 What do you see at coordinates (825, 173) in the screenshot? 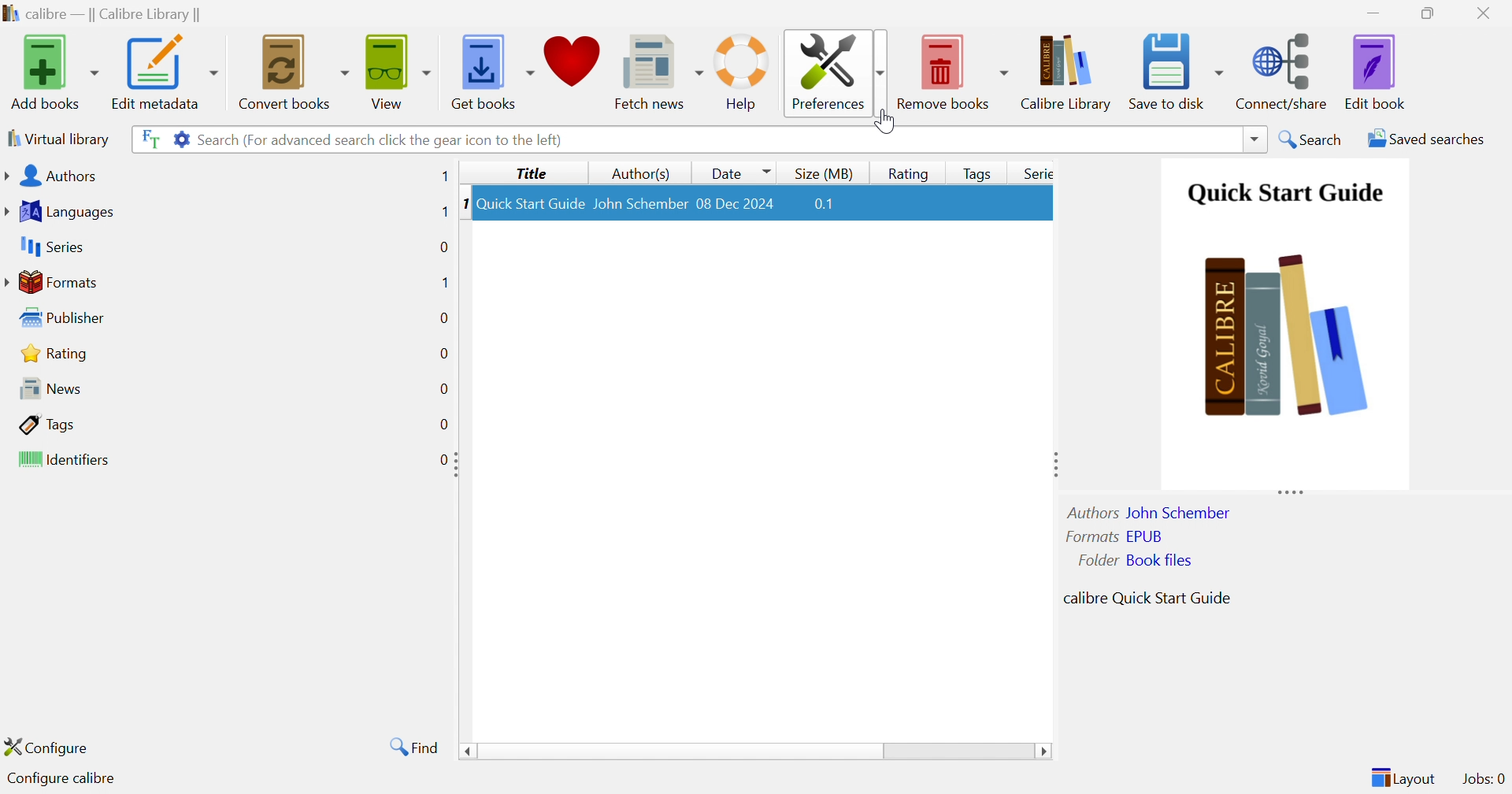
I see `Size (MB)` at bounding box center [825, 173].